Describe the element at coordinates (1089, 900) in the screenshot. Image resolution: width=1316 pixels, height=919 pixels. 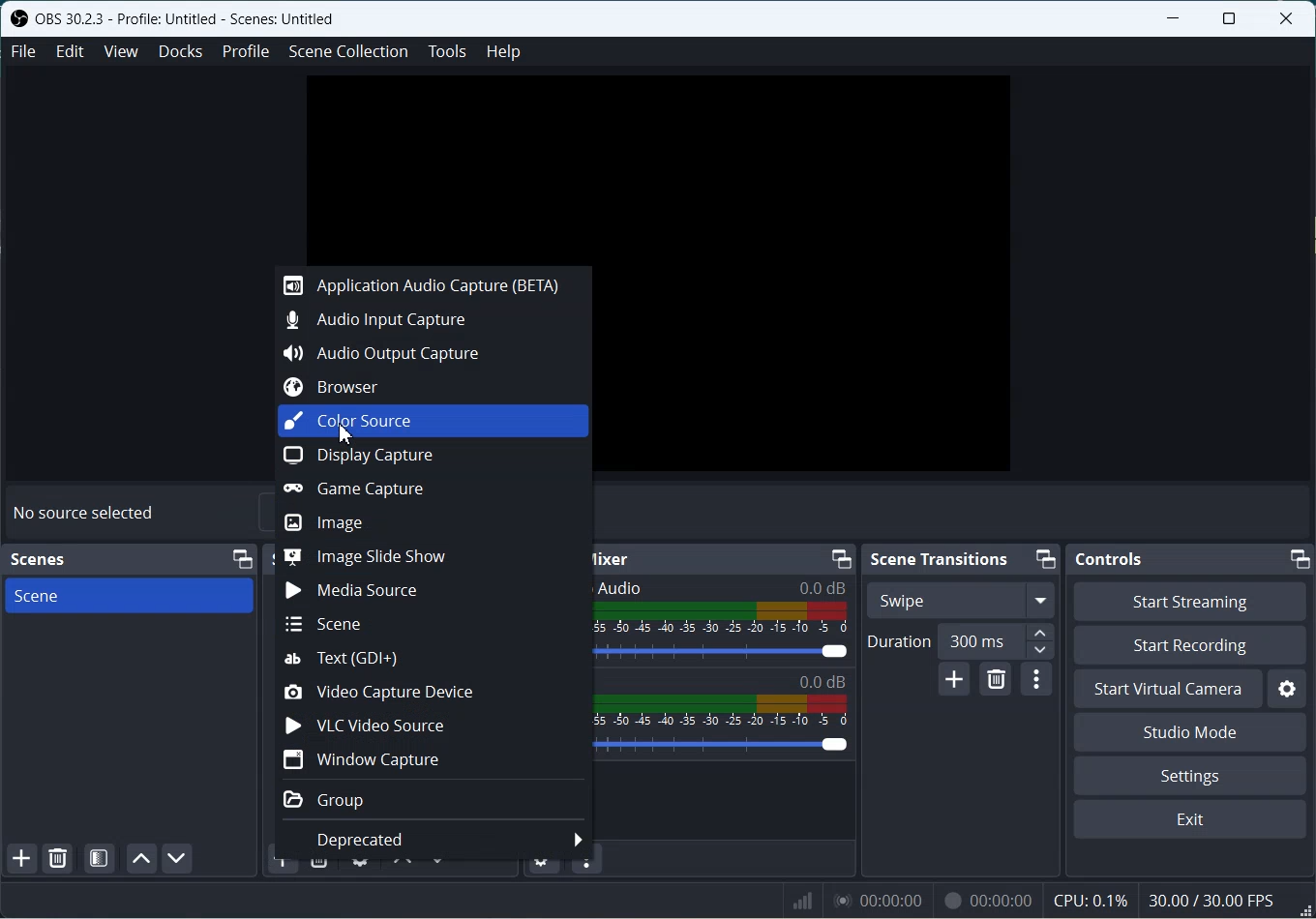
I see `CPU: 0.1%` at that location.